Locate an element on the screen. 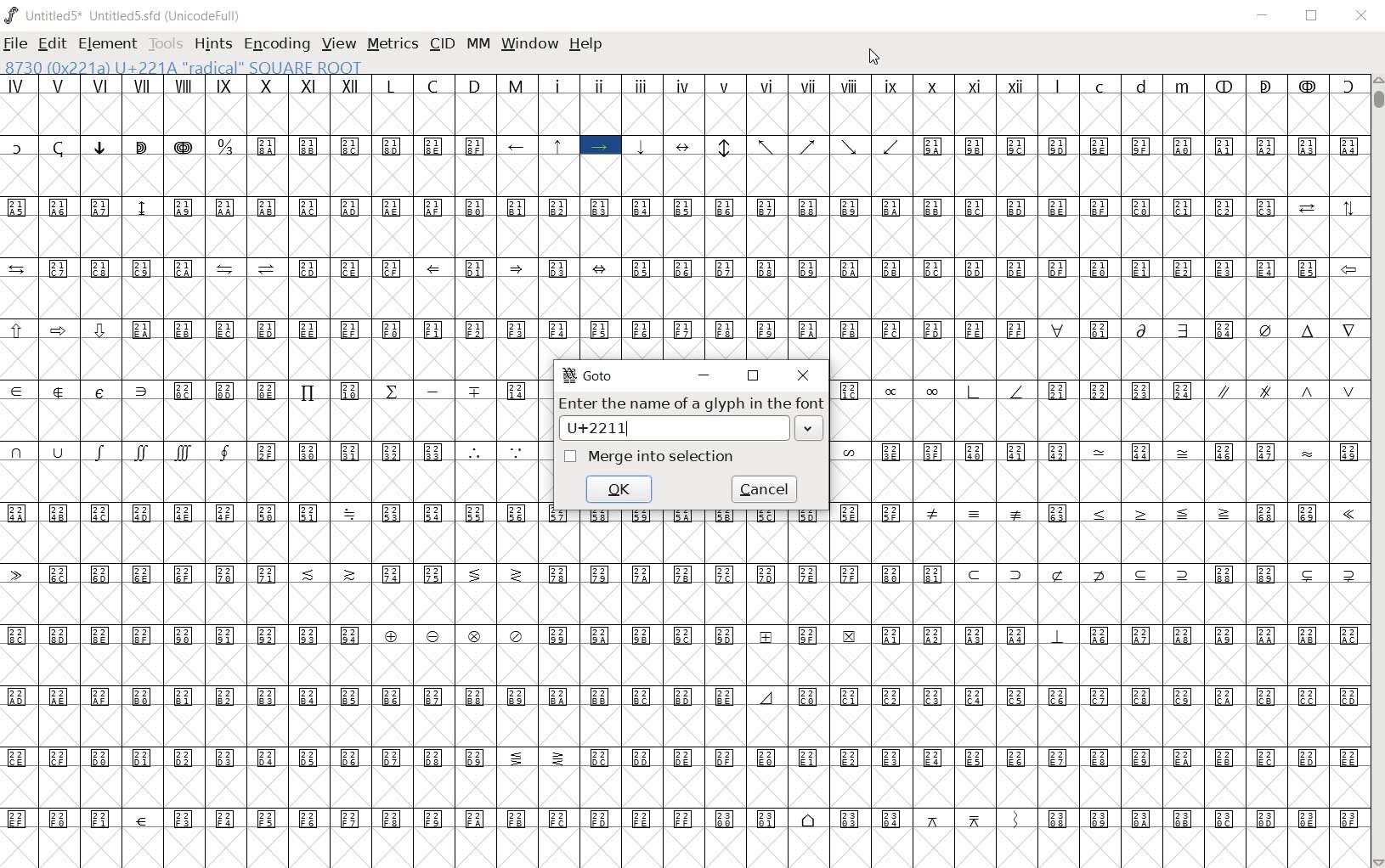 The height and width of the screenshot is (868, 1385). Merge into selection is located at coordinates (650, 458).